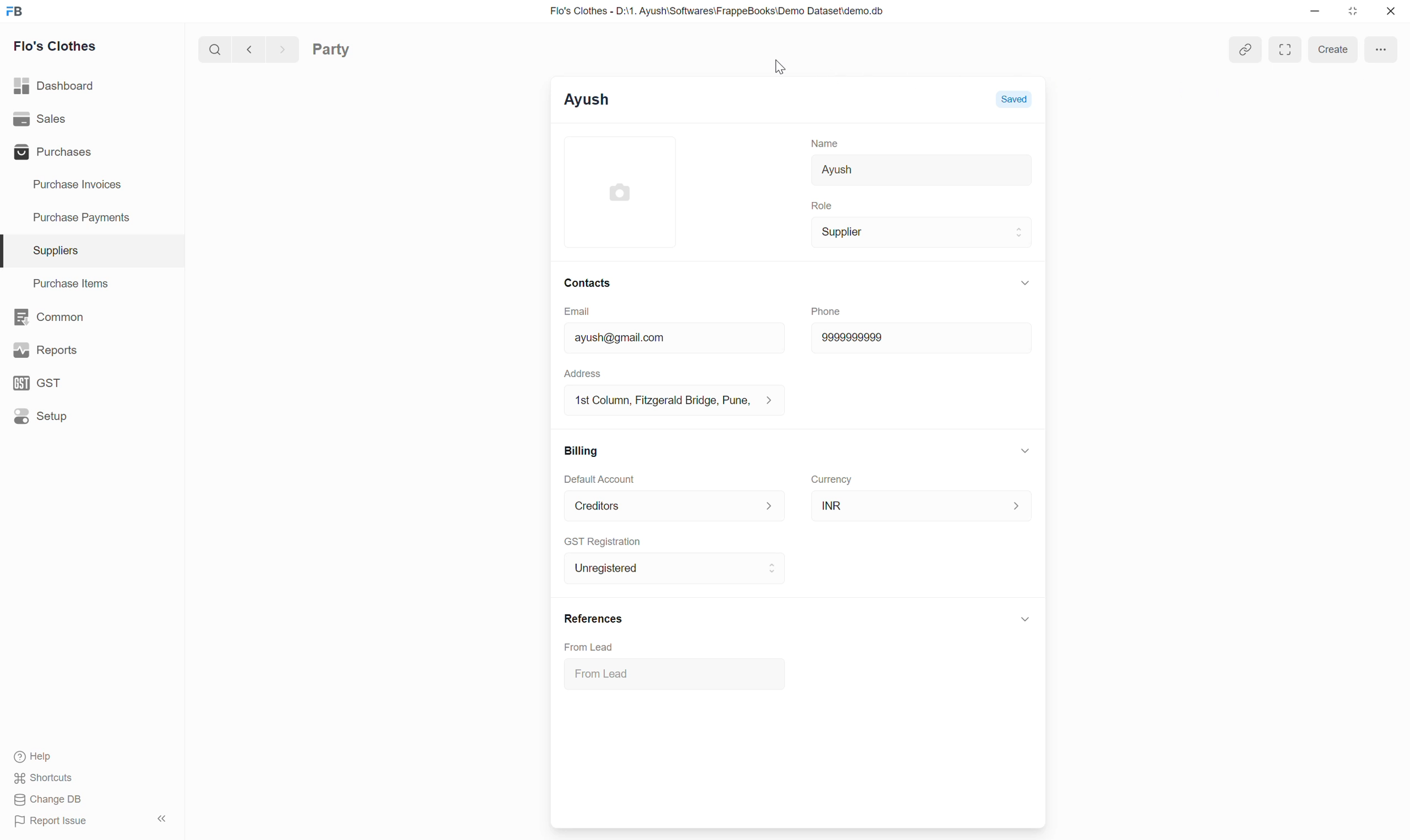 Image resolution: width=1410 pixels, height=840 pixels. What do you see at coordinates (162, 818) in the screenshot?
I see `Collapse sidebar` at bounding box center [162, 818].